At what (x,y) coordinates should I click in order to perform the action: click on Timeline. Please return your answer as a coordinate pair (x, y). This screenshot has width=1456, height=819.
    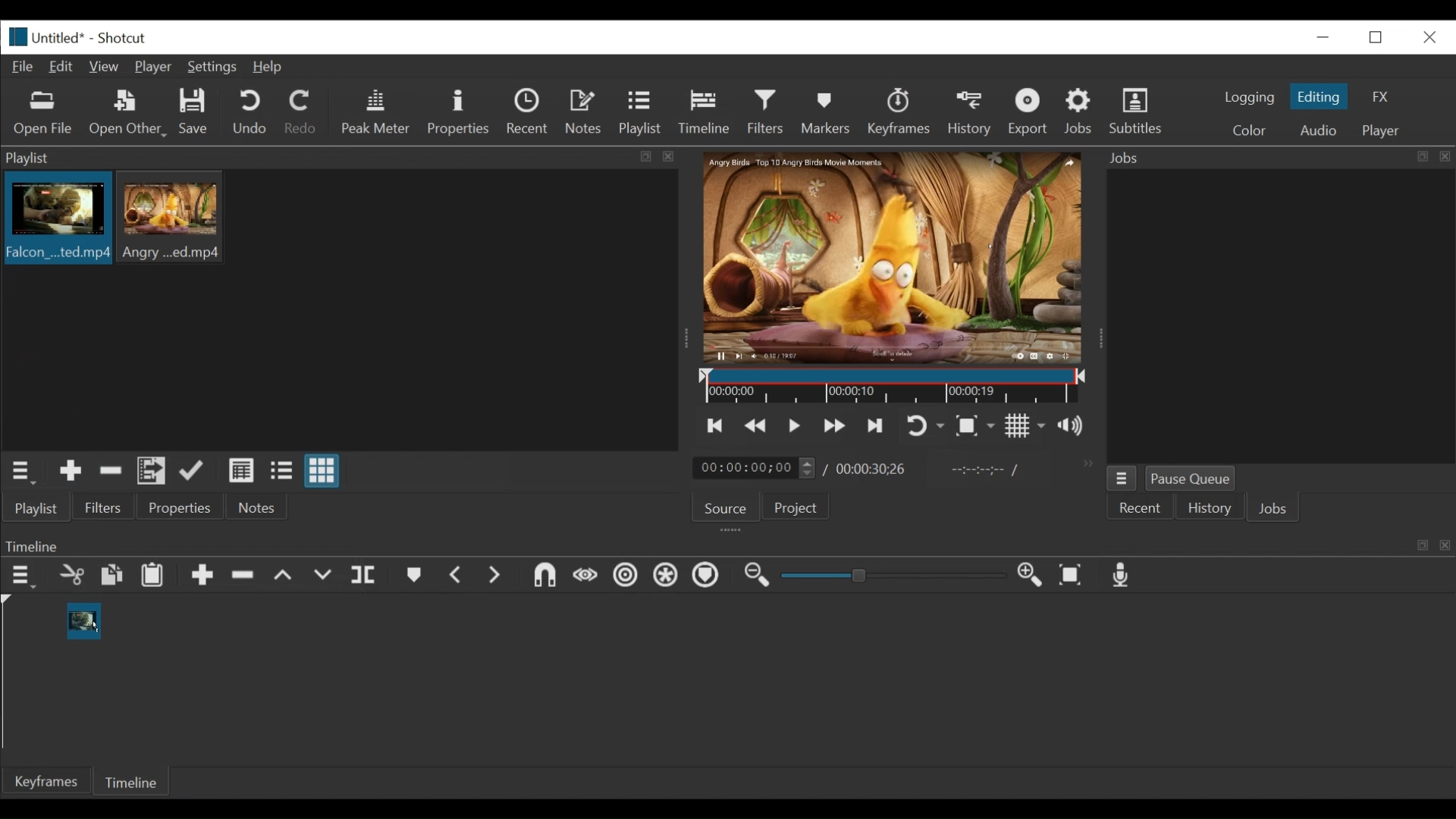
    Looking at the image, I should click on (894, 387).